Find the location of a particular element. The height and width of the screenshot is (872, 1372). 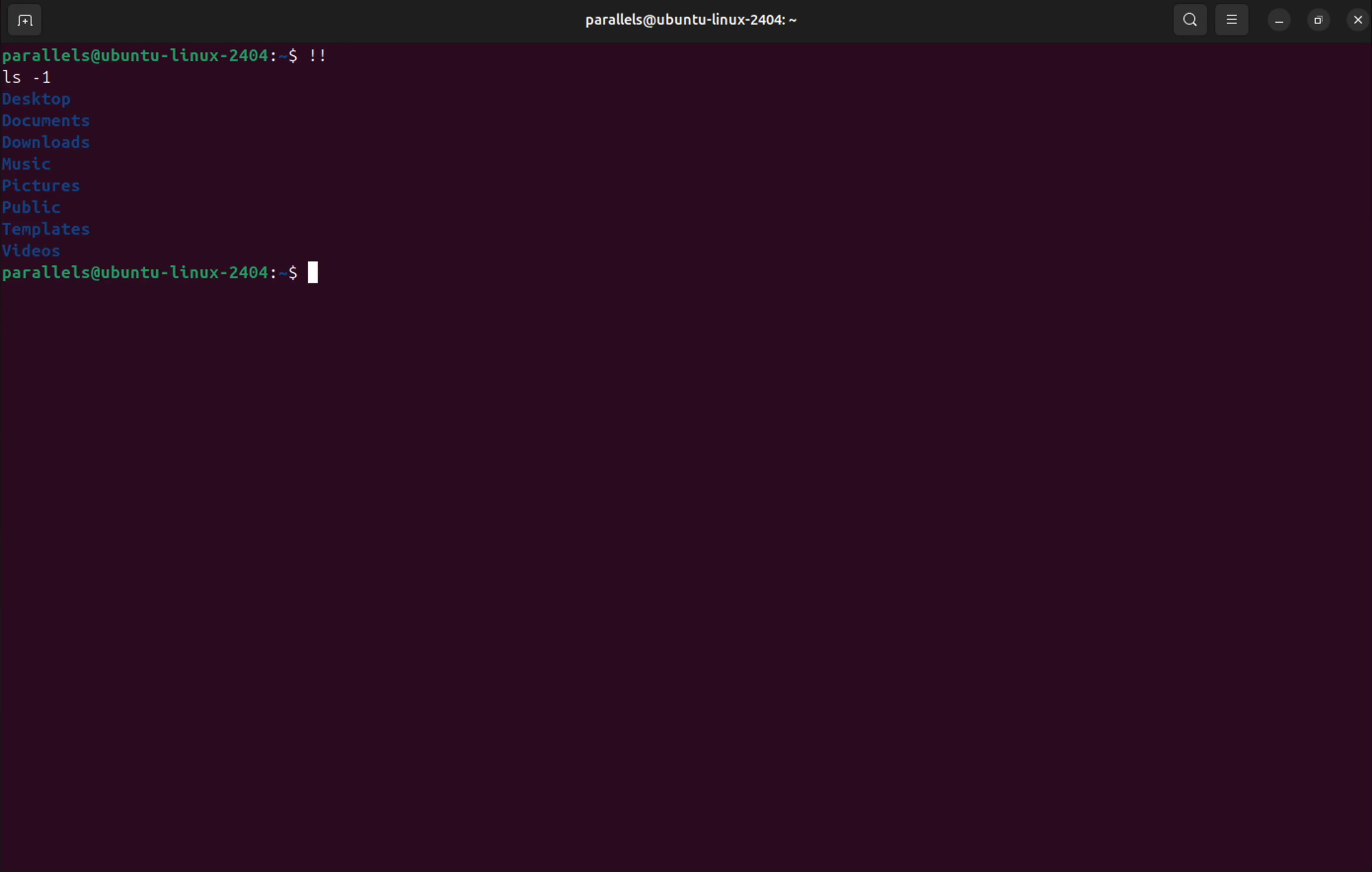

pictures is located at coordinates (46, 187).